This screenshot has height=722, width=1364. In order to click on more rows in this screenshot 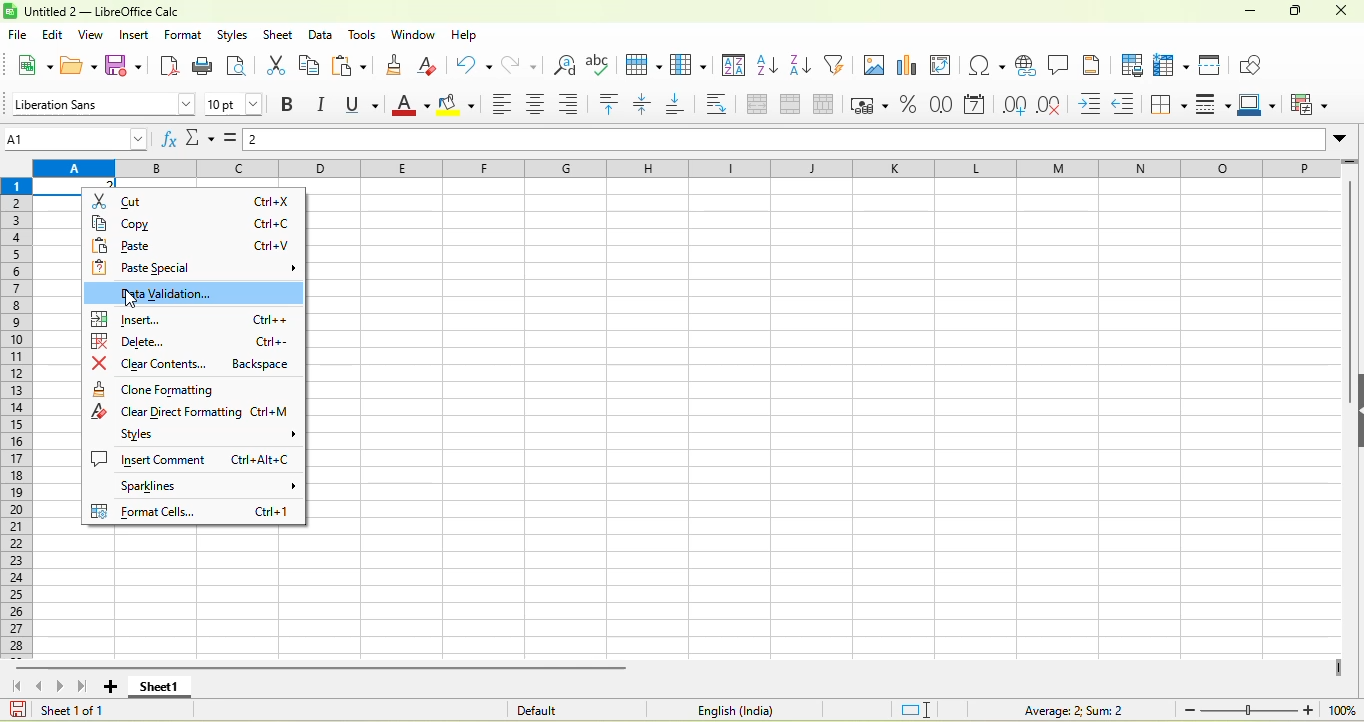, I will do `click(1351, 166)`.